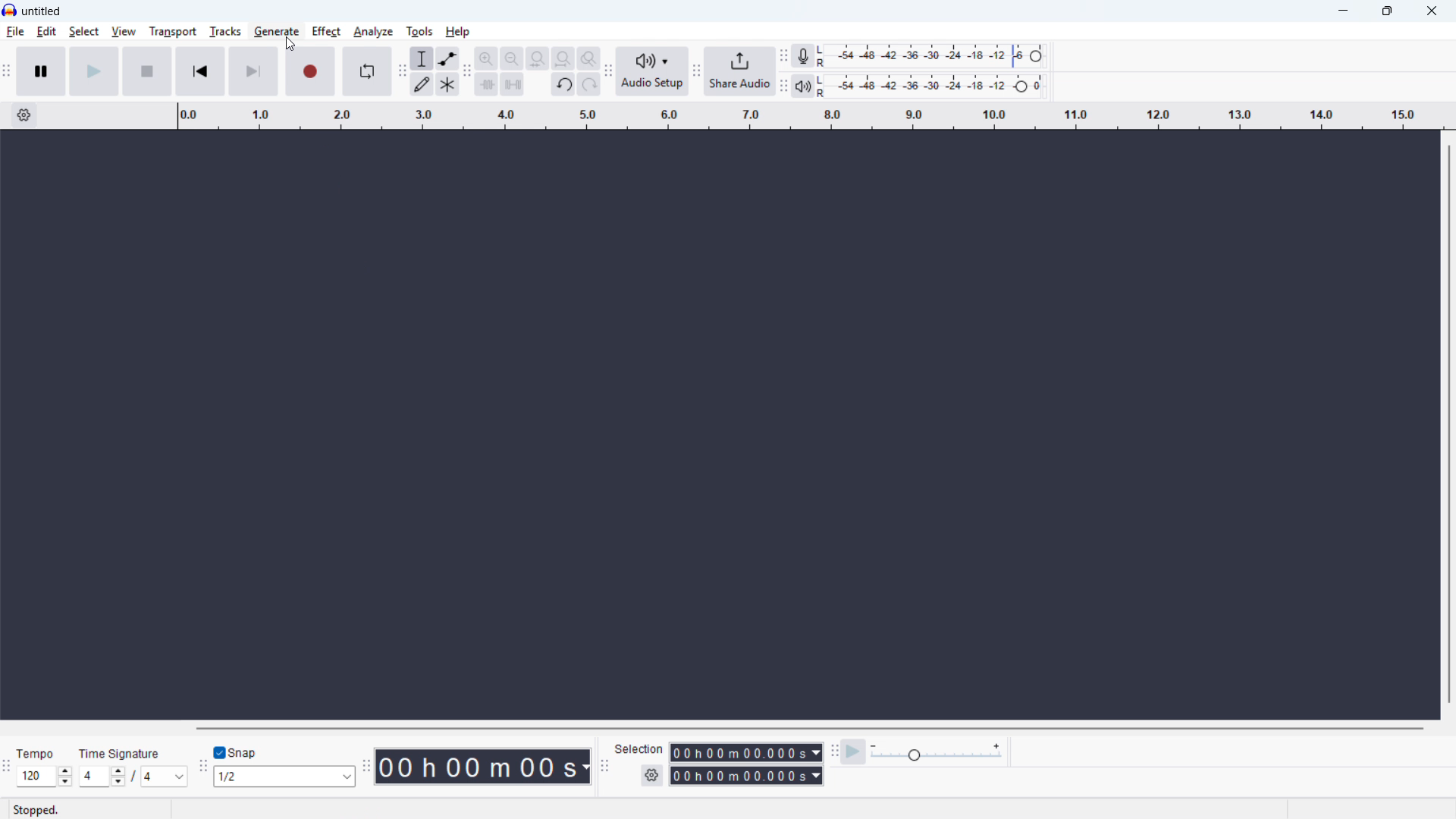 Image resolution: width=1456 pixels, height=819 pixels. Describe the element at coordinates (934, 86) in the screenshot. I see `Playback level` at that location.